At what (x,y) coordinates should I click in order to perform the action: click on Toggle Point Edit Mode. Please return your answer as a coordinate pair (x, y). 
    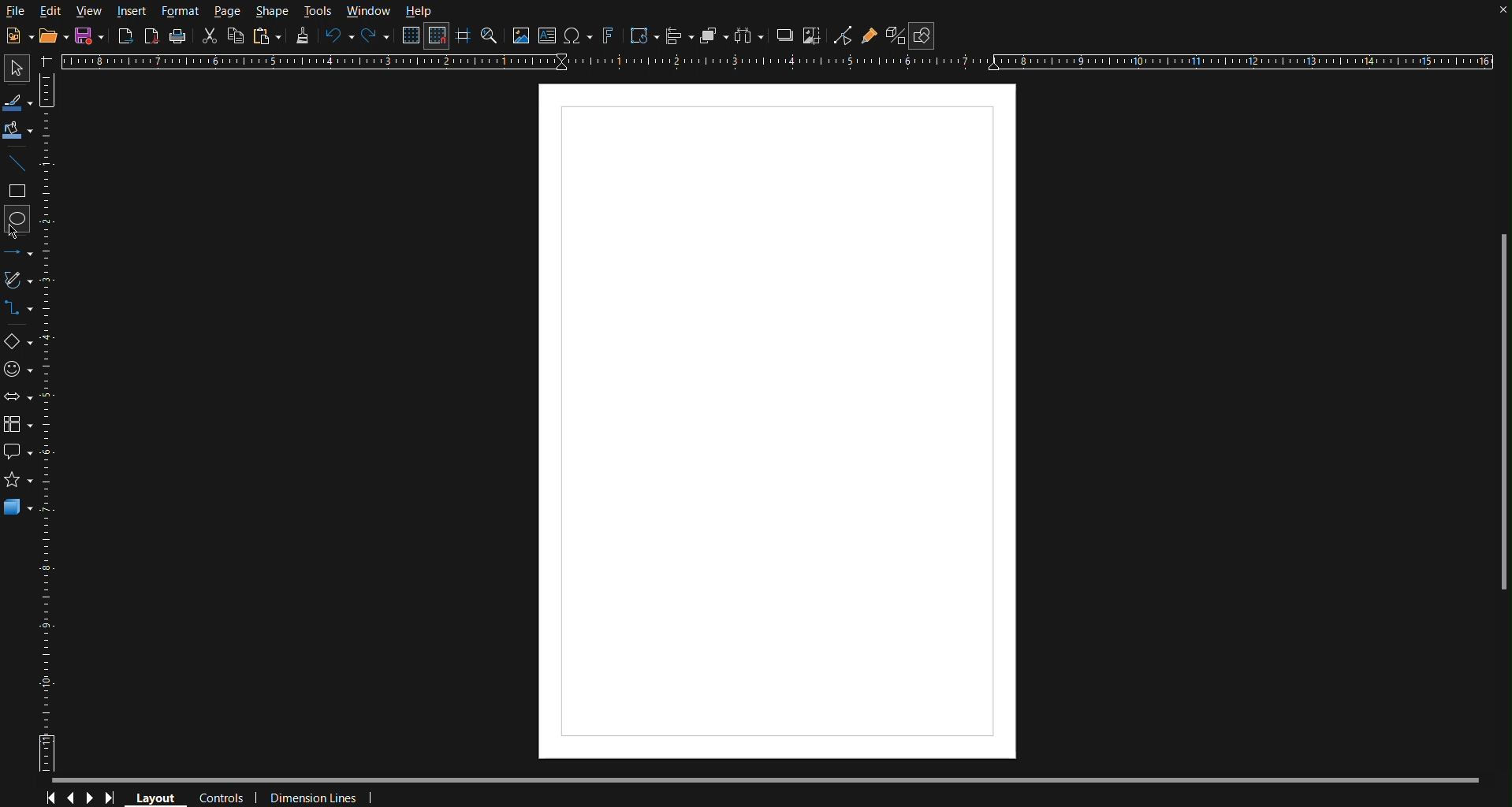
    Looking at the image, I should click on (844, 37).